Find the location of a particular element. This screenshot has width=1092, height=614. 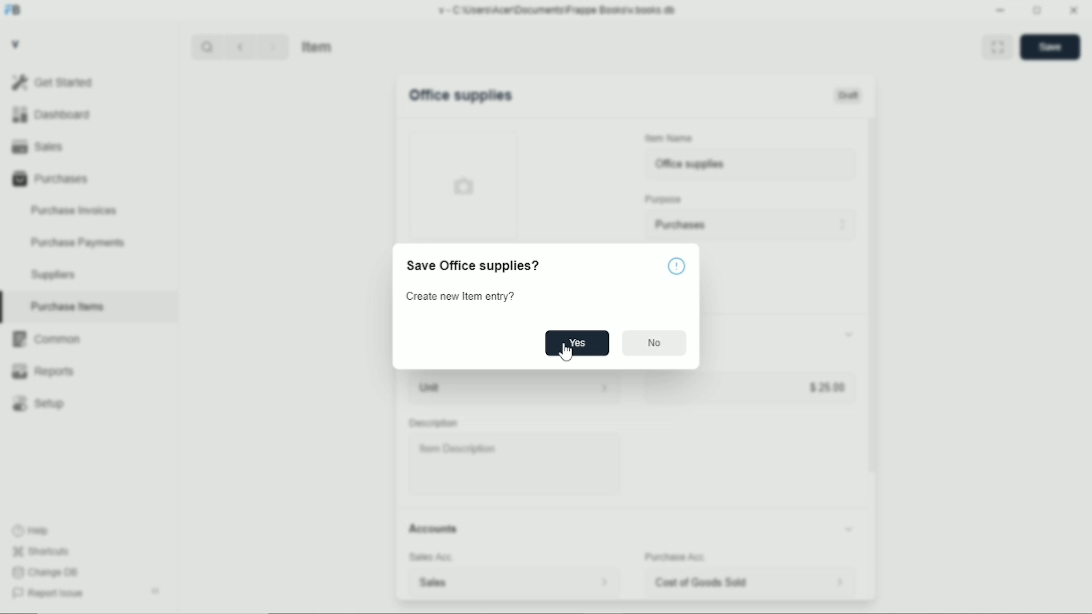

yes is located at coordinates (578, 343).